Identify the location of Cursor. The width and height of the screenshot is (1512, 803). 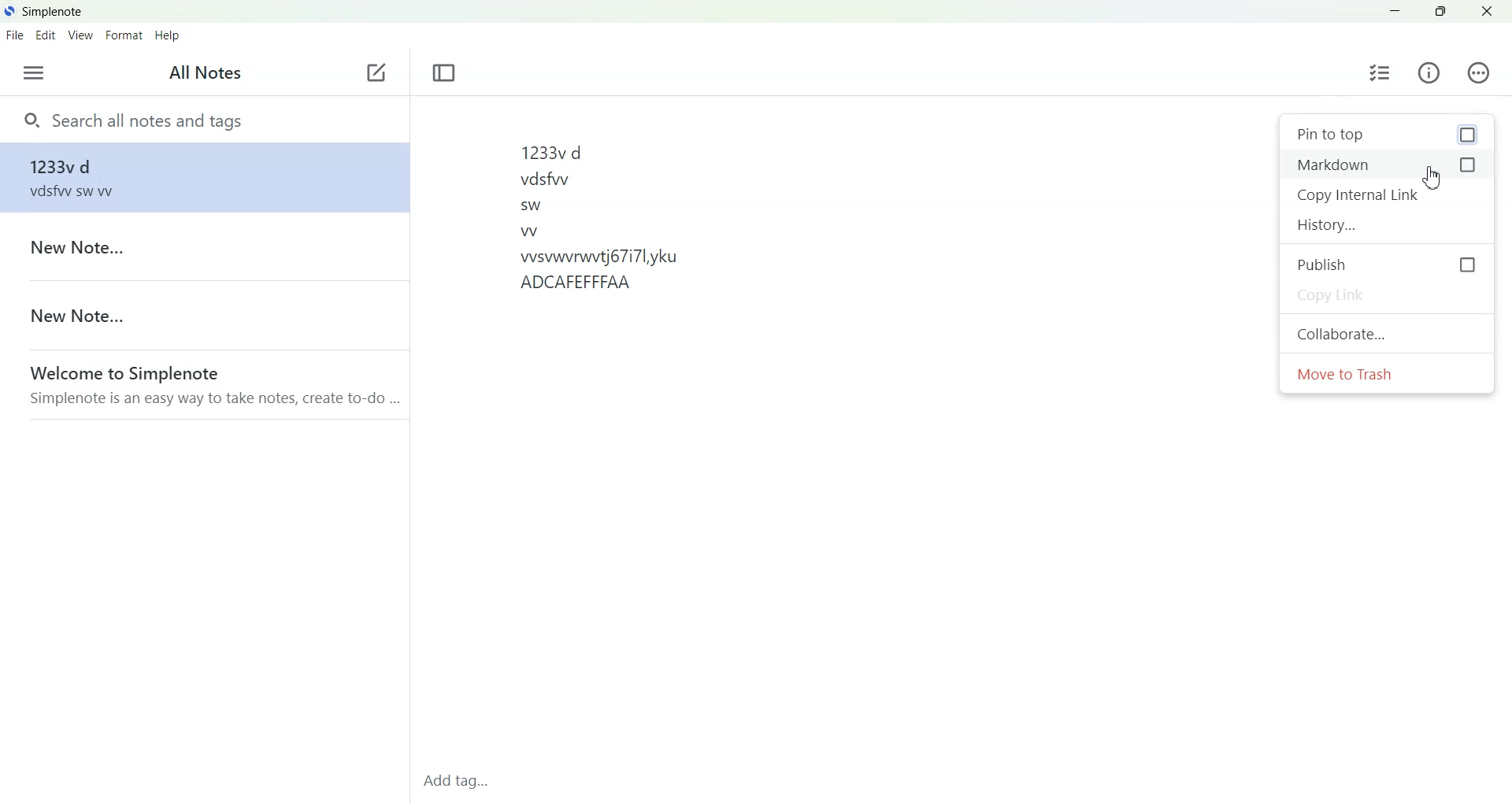
(1432, 178).